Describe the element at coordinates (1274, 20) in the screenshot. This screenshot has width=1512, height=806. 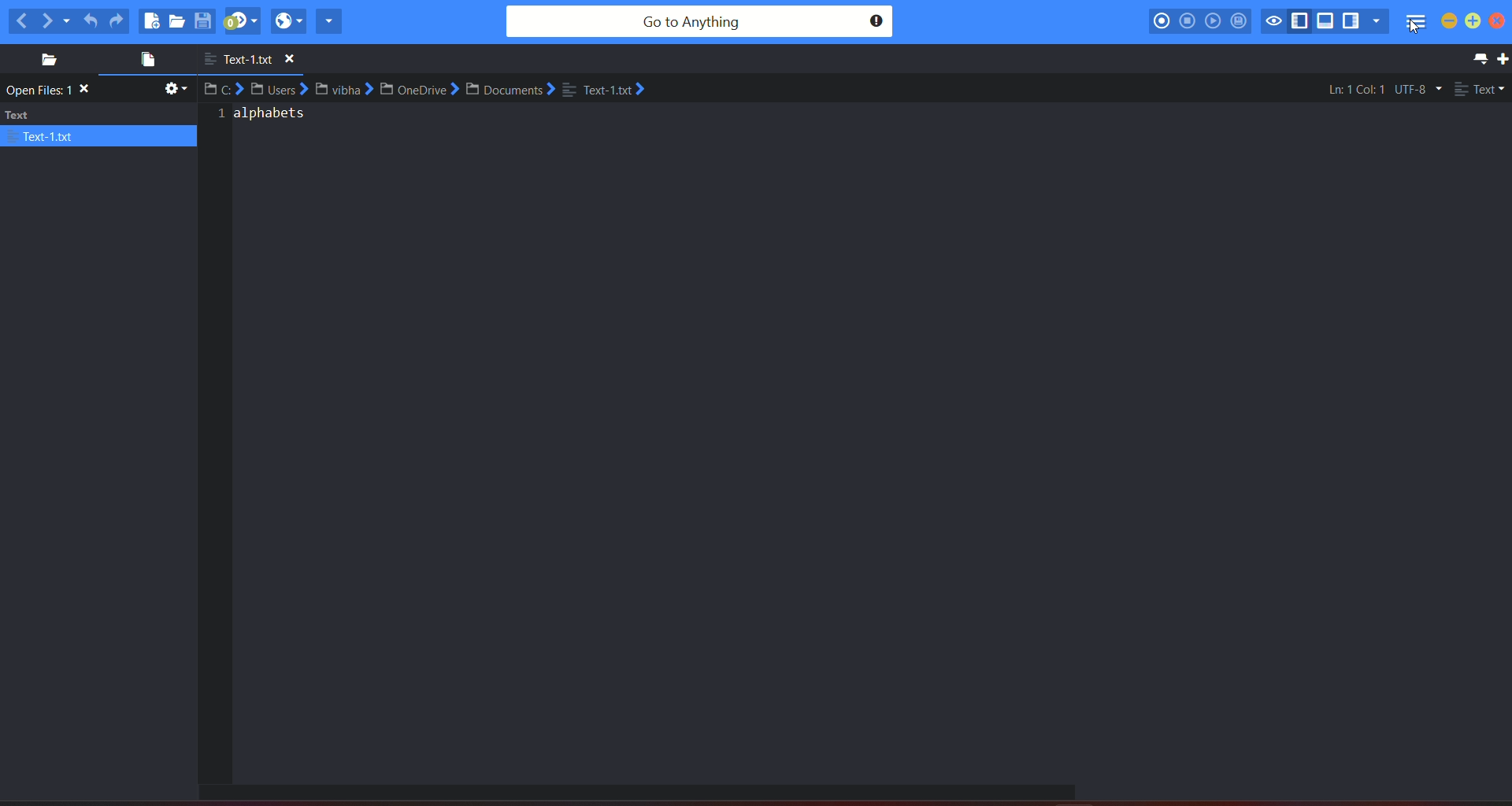
I see `toggle focus mode` at that location.